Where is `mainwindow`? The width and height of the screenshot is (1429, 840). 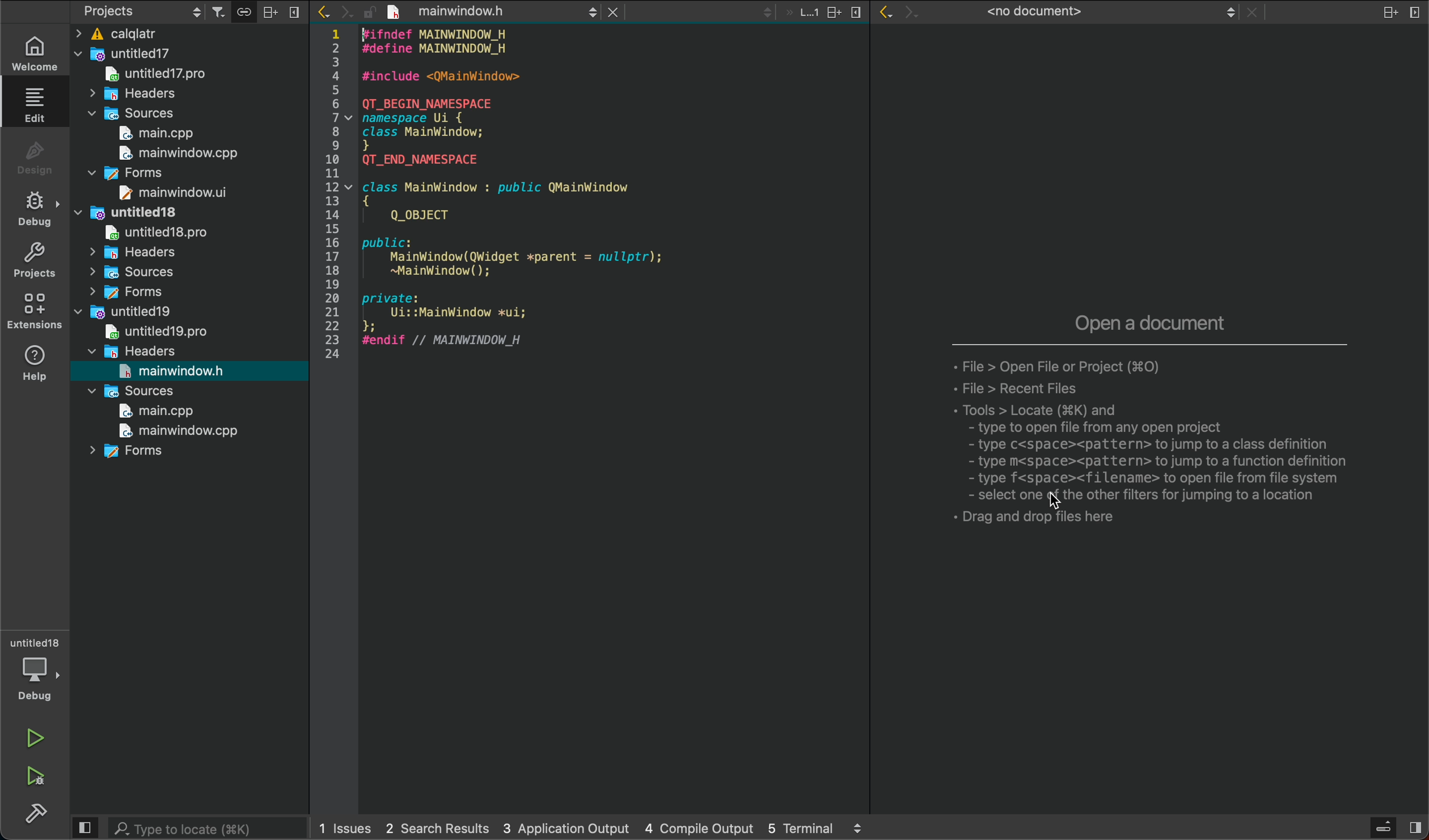 mainwindow is located at coordinates (173, 191).